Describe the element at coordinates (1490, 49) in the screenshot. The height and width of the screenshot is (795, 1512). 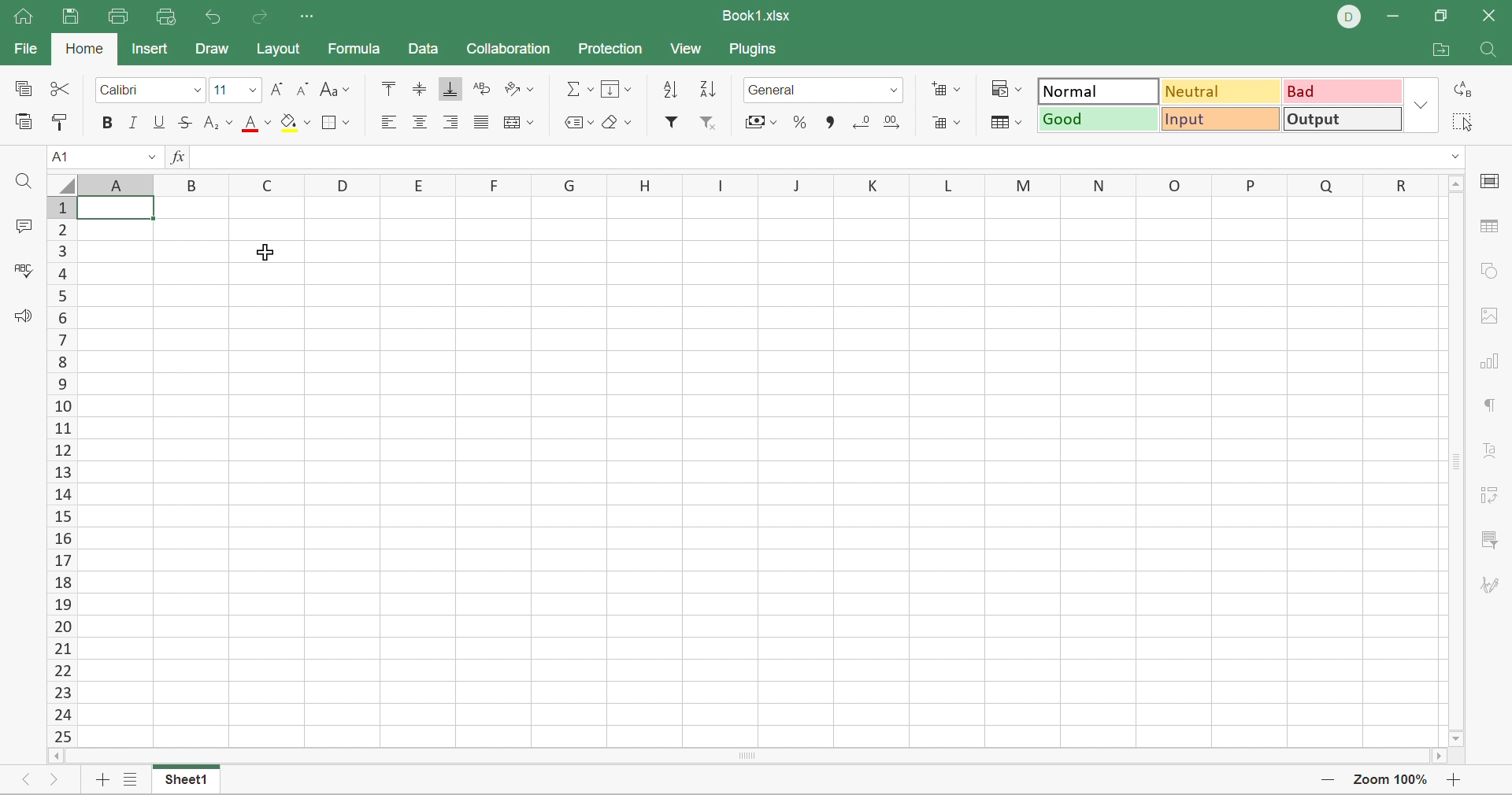
I see `Find` at that location.